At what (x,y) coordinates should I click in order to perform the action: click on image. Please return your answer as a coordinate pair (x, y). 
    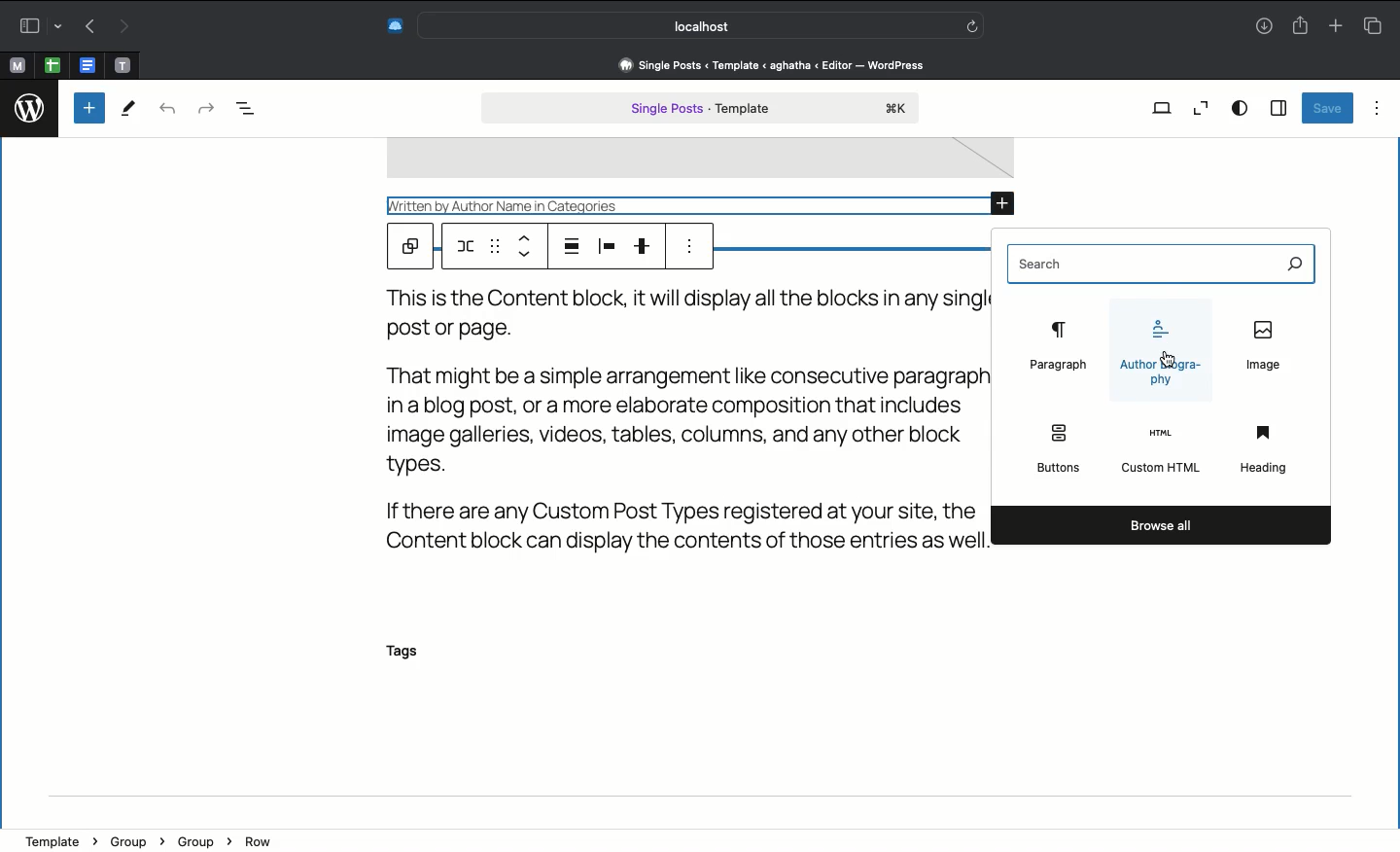
    Looking at the image, I should click on (699, 160).